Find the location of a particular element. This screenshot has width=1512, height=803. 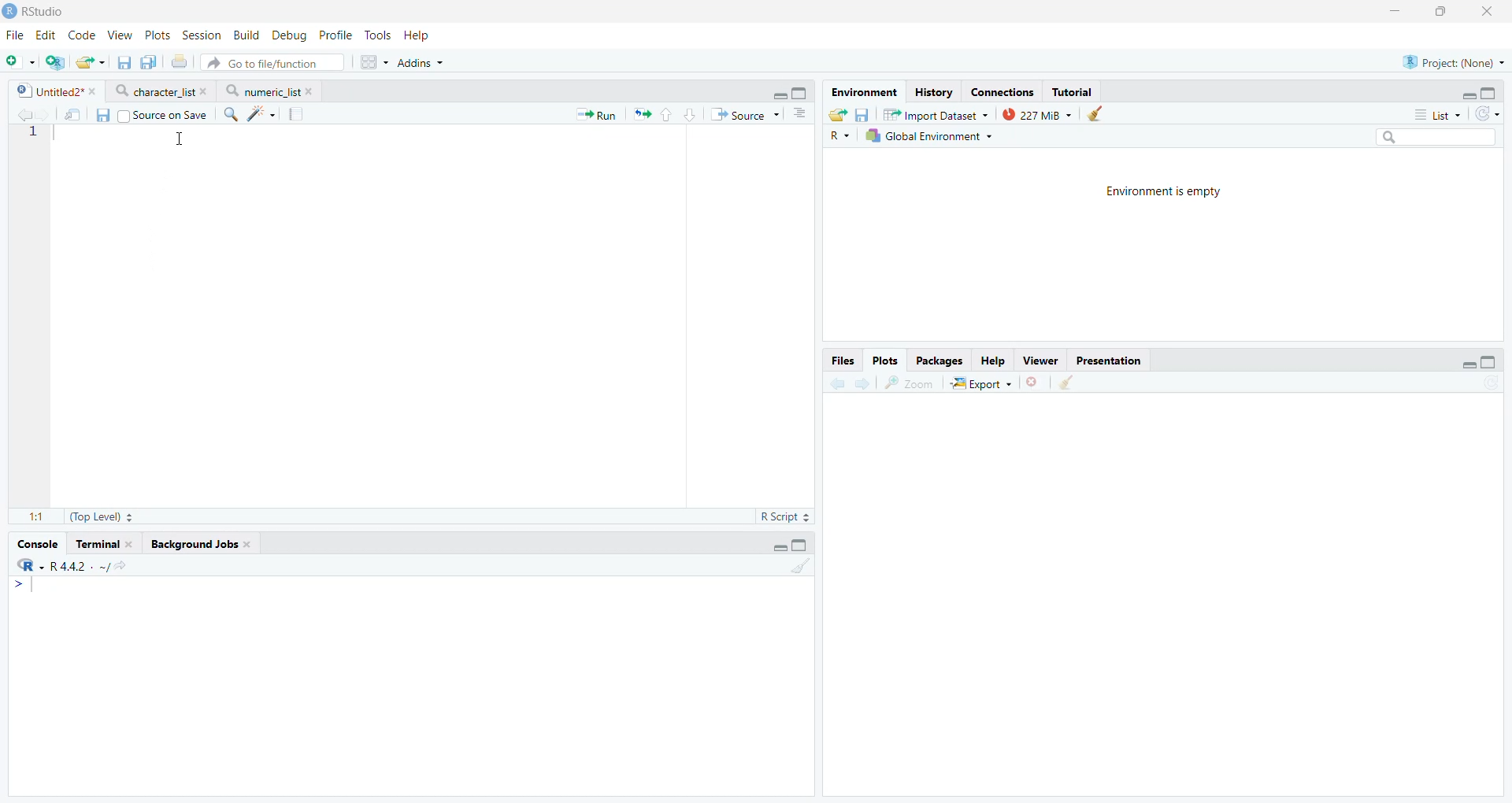

Clear is located at coordinates (800, 566).